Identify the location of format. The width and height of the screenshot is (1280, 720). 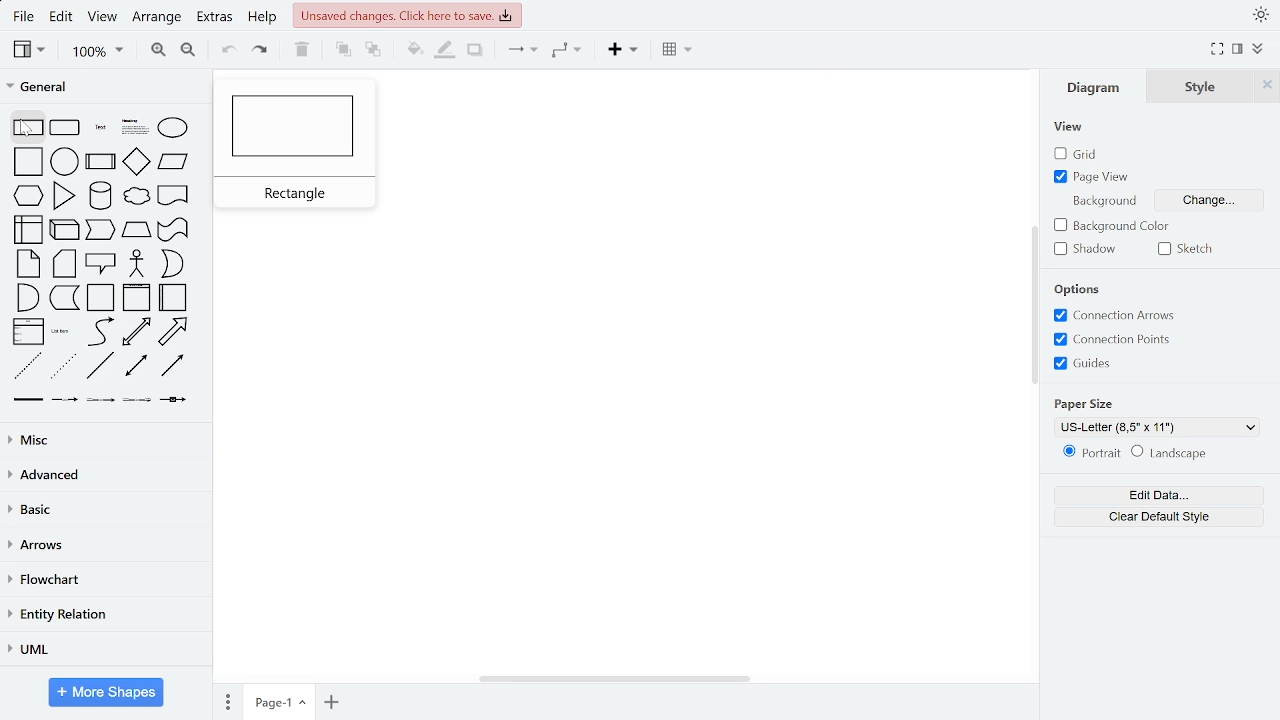
(1256, 51).